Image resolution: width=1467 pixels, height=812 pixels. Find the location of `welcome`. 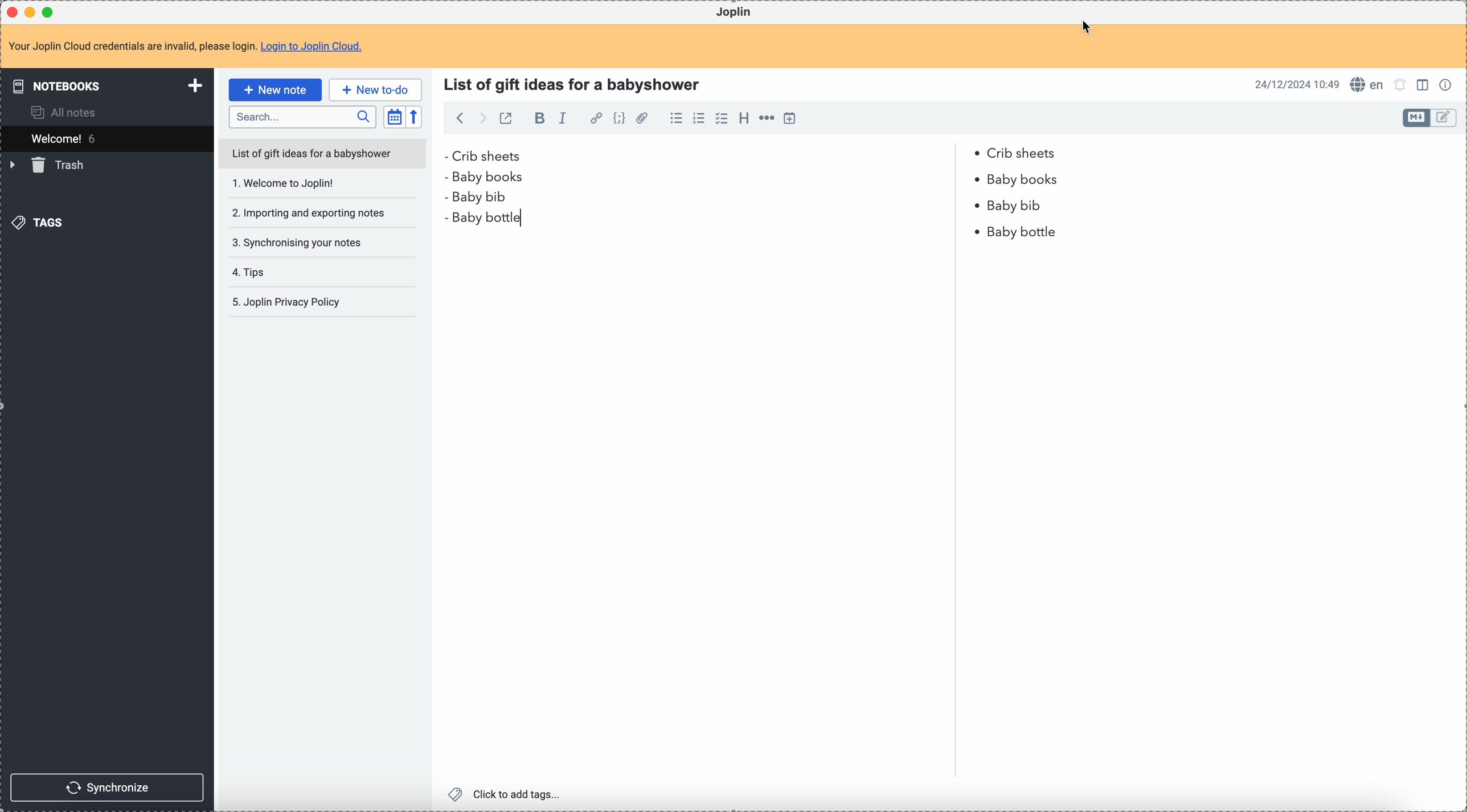

welcome is located at coordinates (106, 138).